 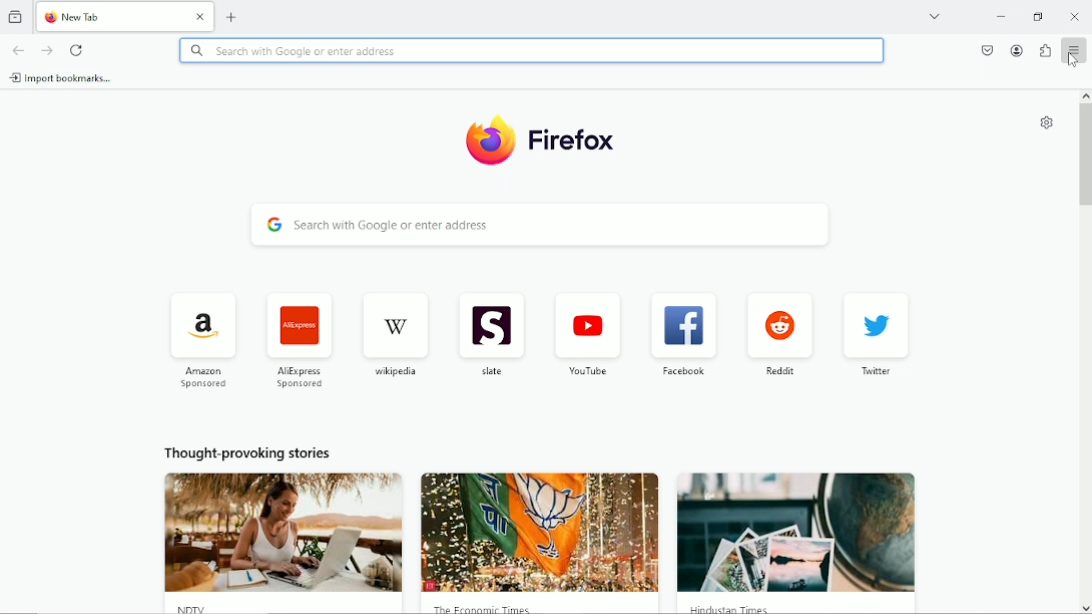 I want to click on NDTV, so click(x=285, y=606).